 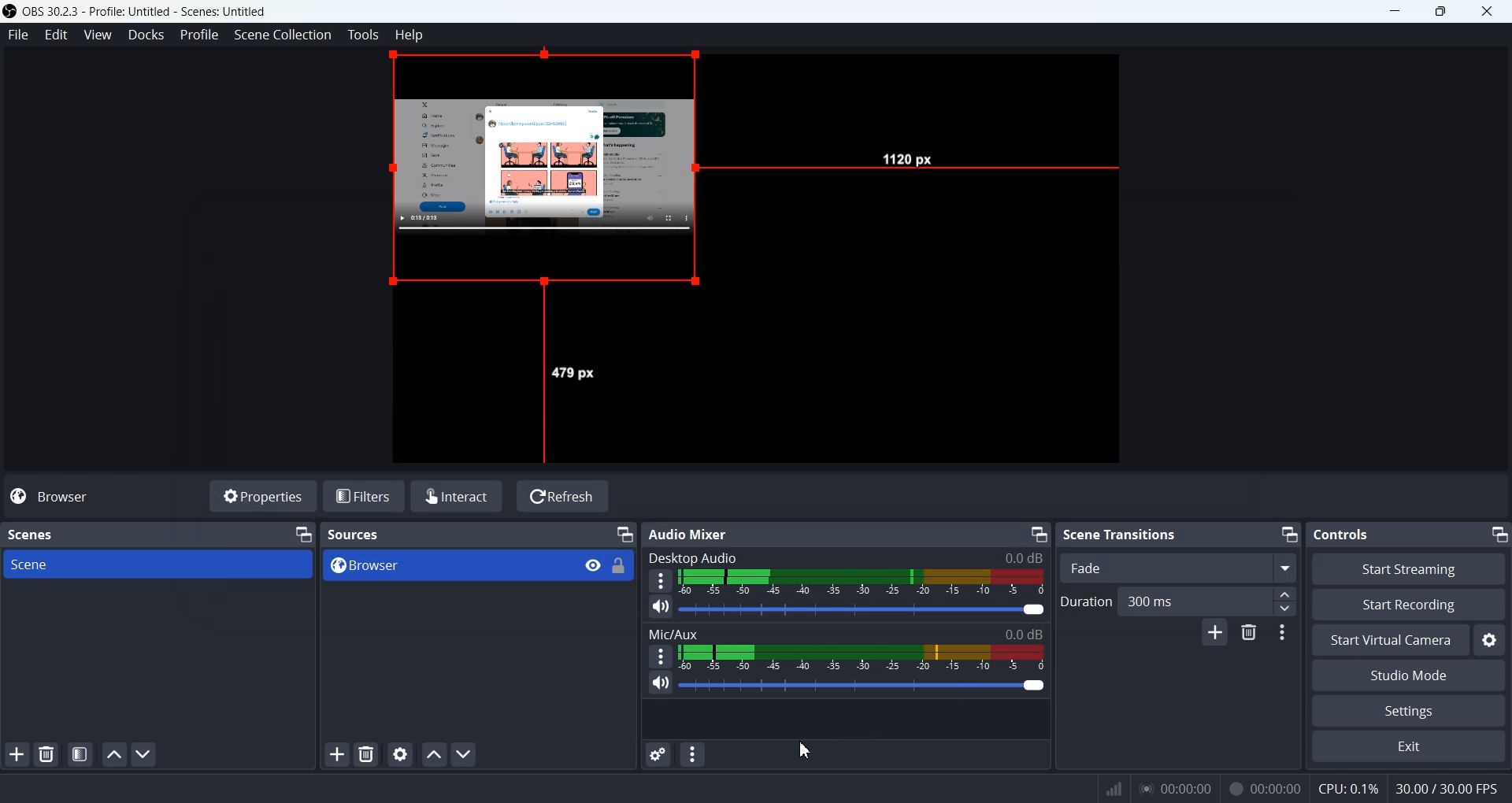 What do you see at coordinates (113, 754) in the screenshot?
I see `Move scene up` at bounding box center [113, 754].